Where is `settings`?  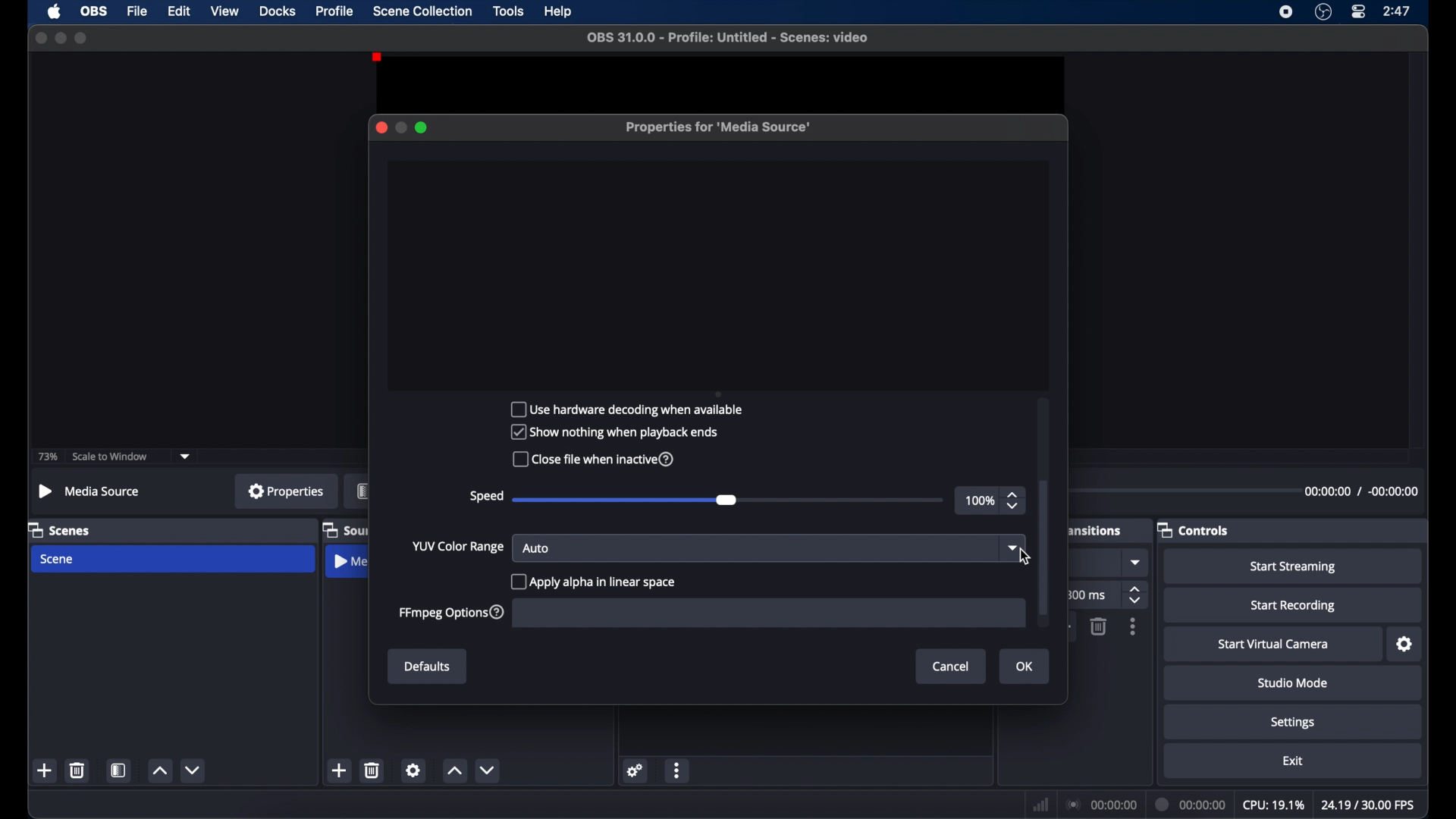
settings is located at coordinates (1293, 723).